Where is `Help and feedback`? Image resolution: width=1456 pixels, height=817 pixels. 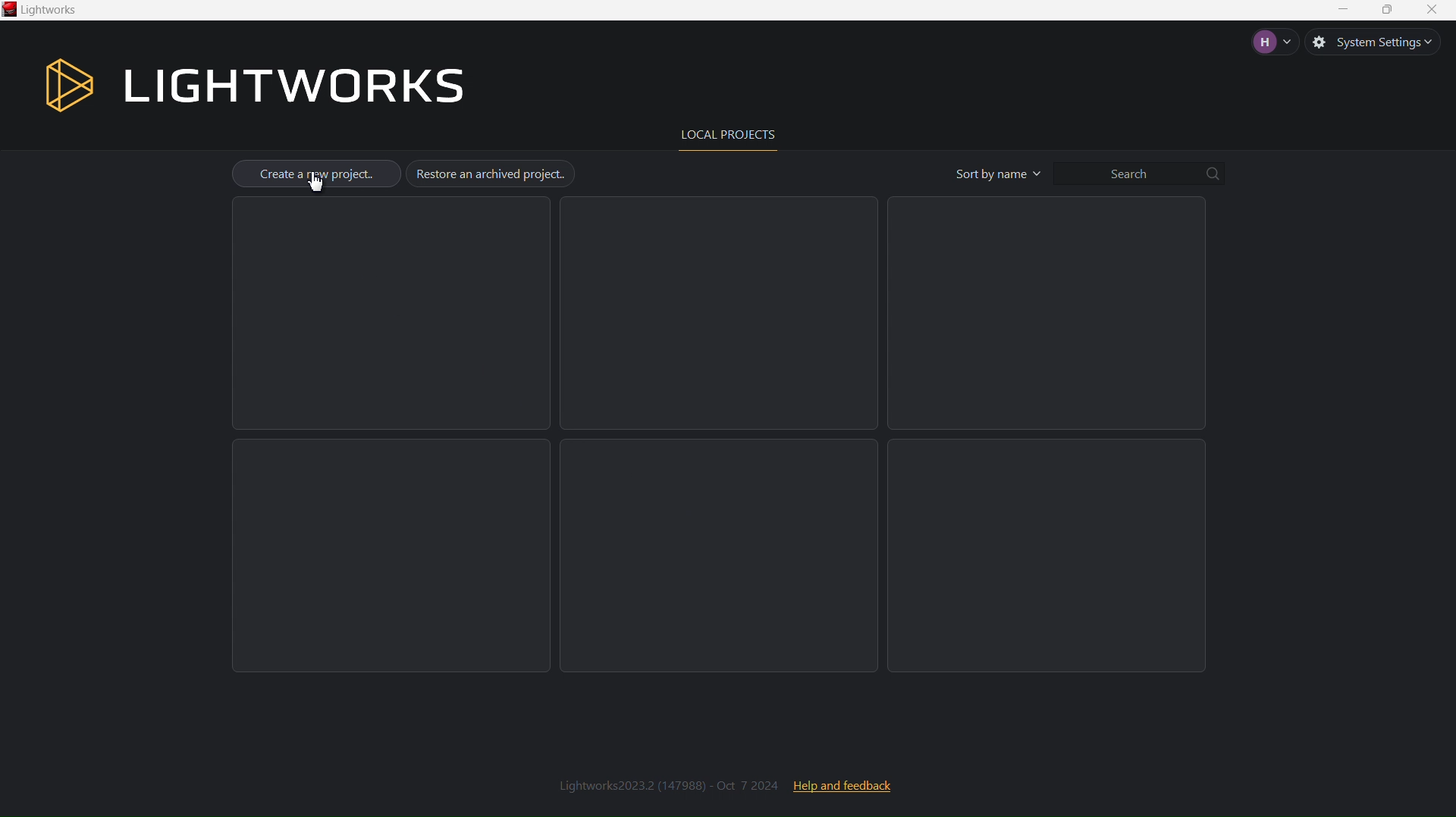 Help and feedback is located at coordinates (841, 785).